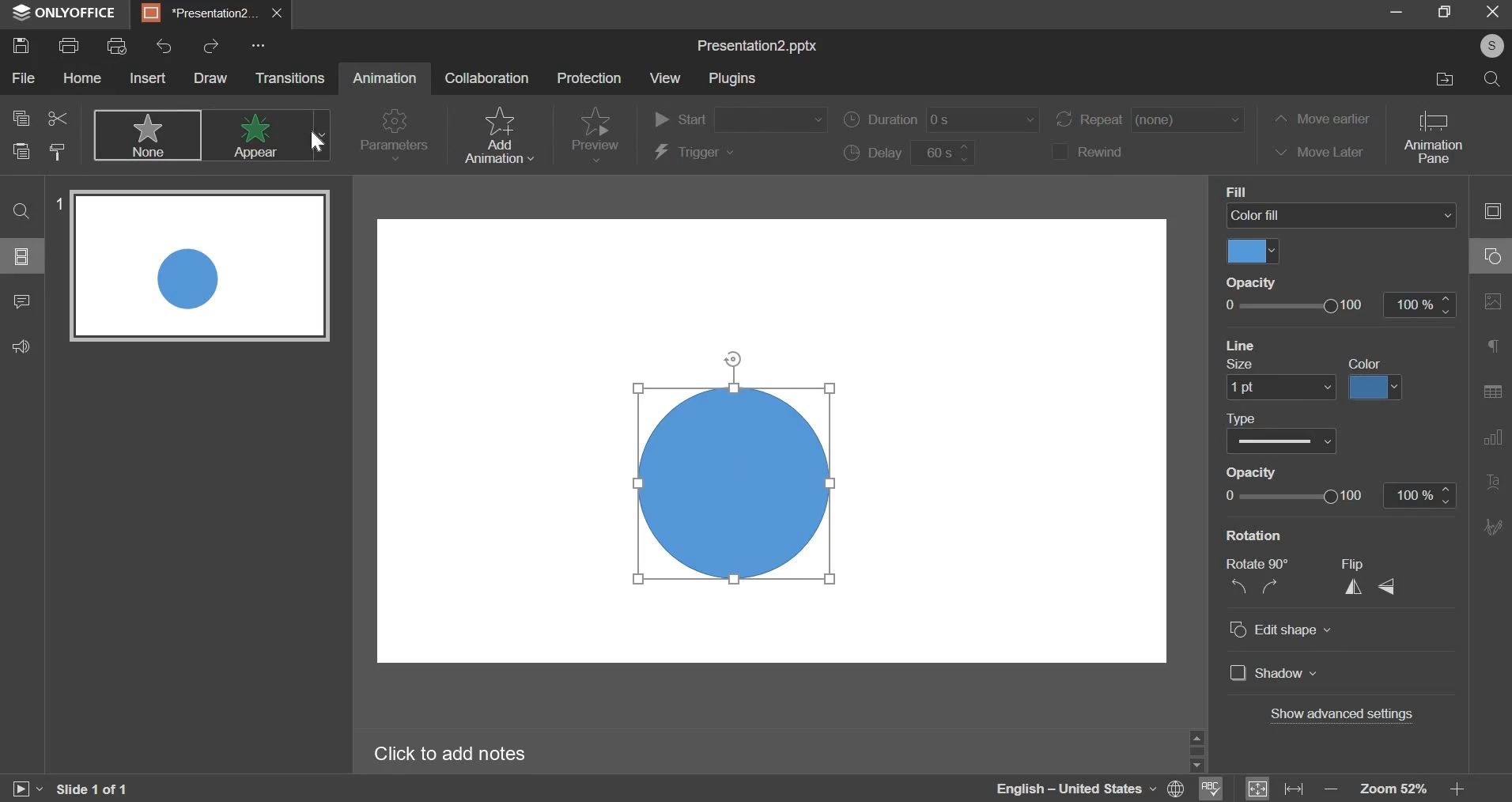 The width and height of the screenshot is (1512, 802). What do you see at coordinates (1249, 367) in the screenshot?
I see `opacity` at bounding box center [1249, 367].